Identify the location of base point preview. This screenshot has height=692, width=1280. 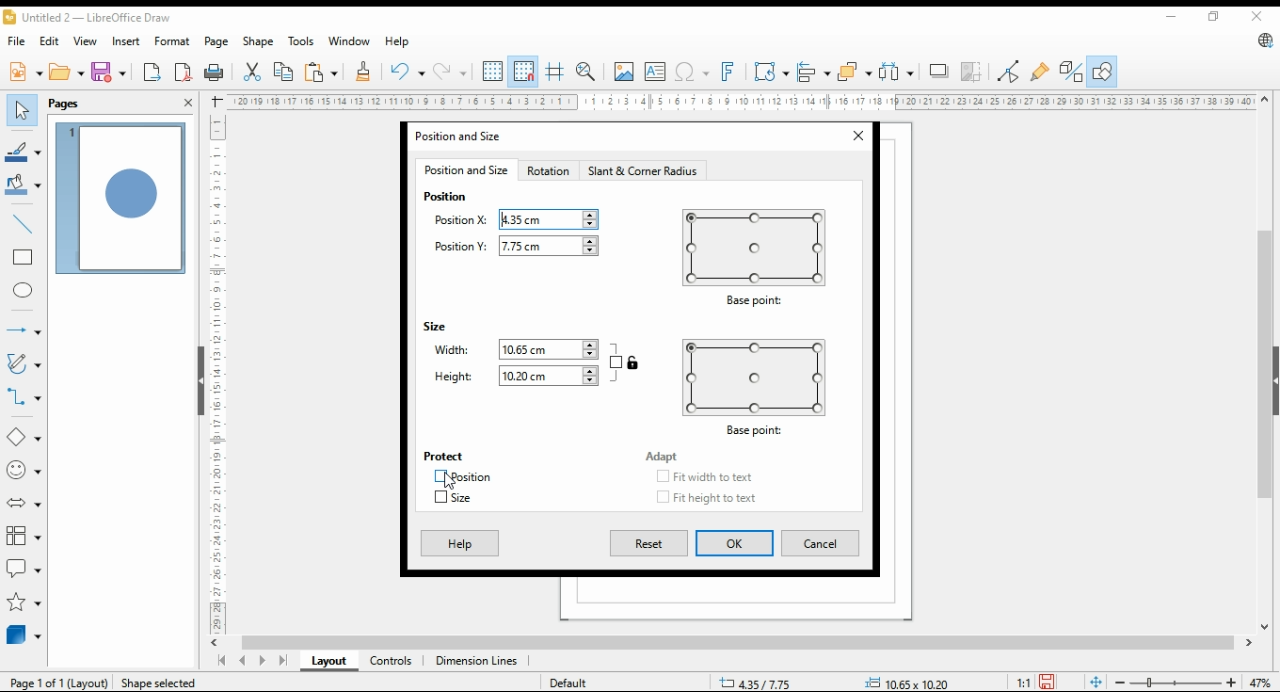
(752, 387).